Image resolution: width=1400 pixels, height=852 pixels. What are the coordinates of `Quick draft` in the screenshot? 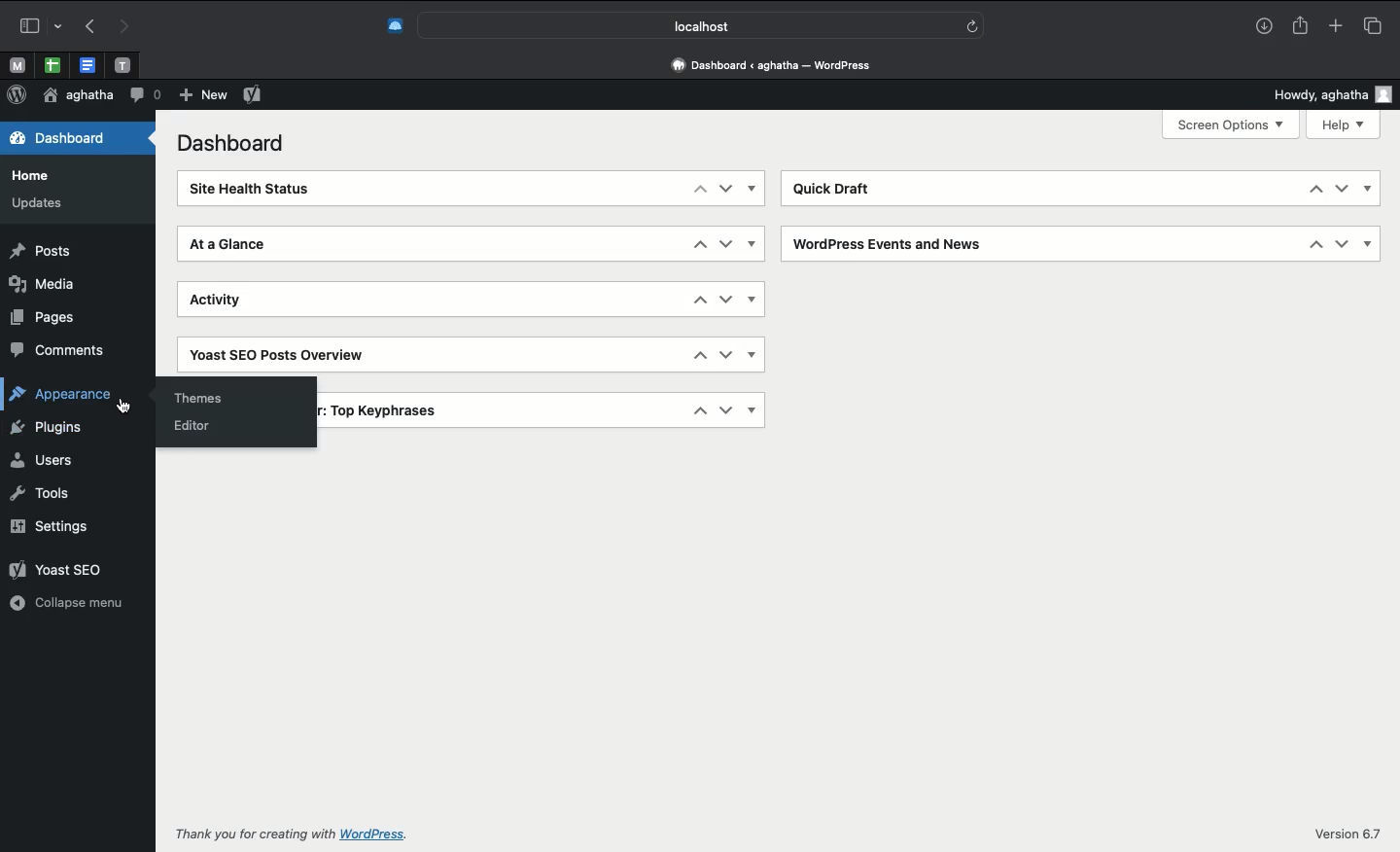 It's located at (840, 188).